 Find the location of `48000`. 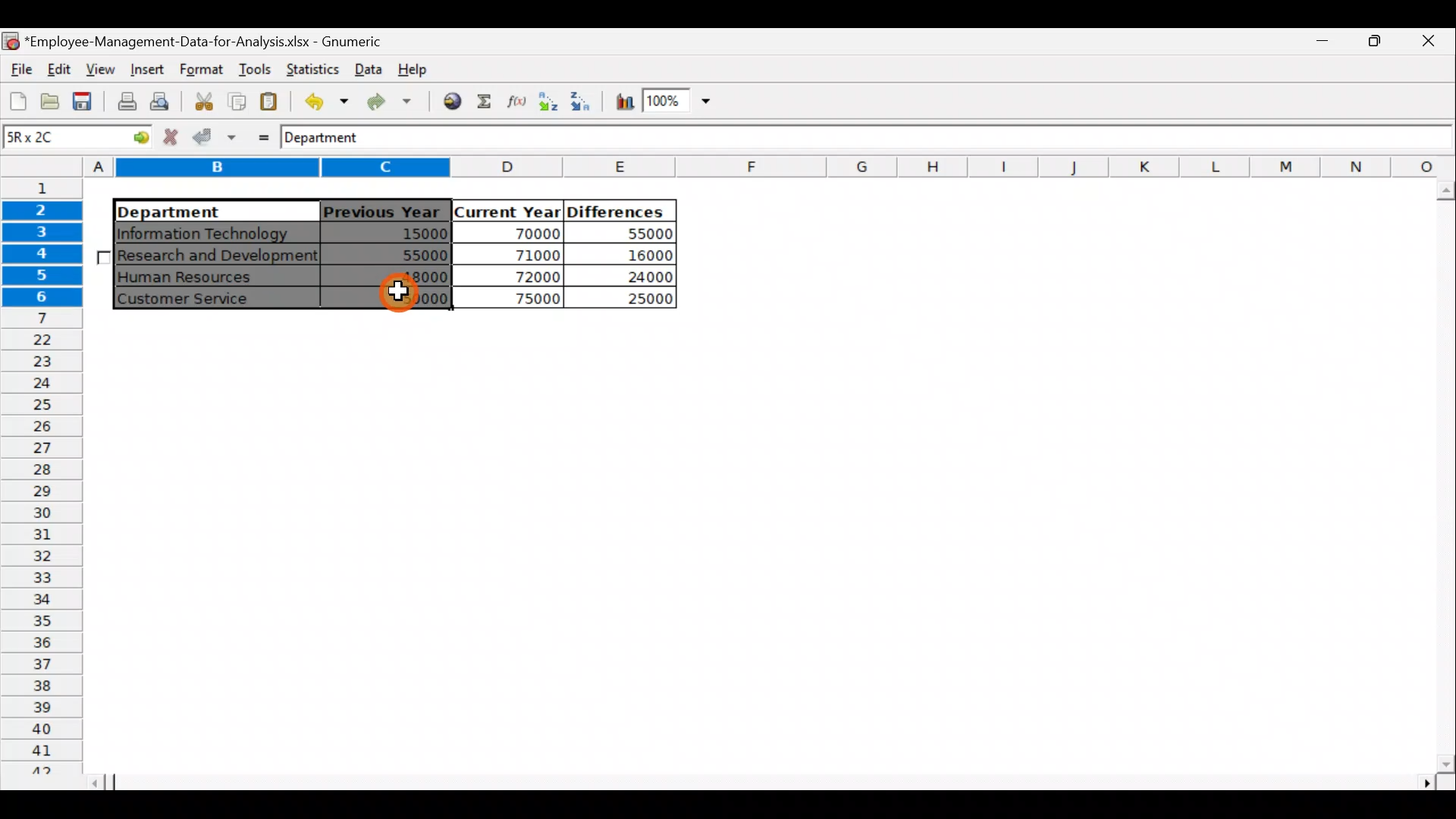

48000 is located at coordinates (399, 278).